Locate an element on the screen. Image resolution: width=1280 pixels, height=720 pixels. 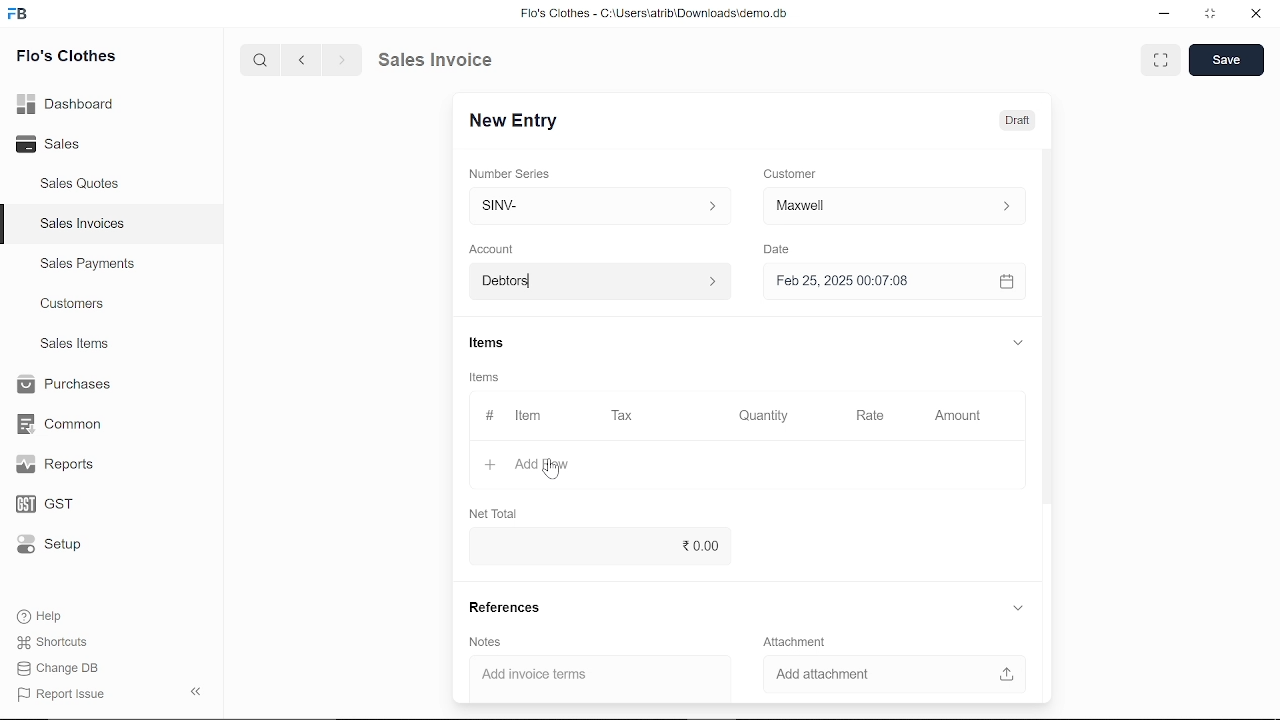
expand is located at coordinates (1162, 60).